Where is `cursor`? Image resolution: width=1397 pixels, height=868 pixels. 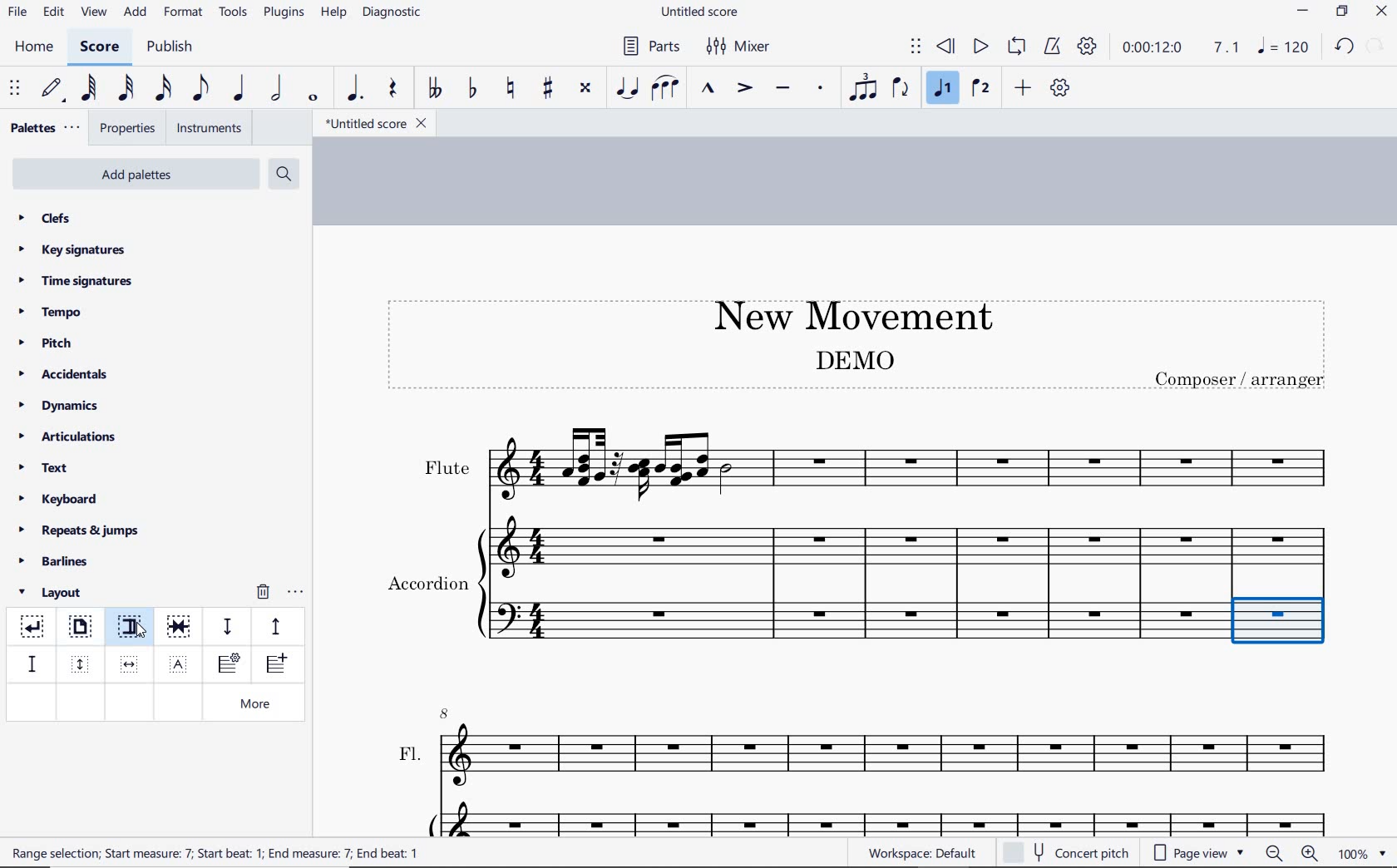
cursor is located at coordinates (143, 630).